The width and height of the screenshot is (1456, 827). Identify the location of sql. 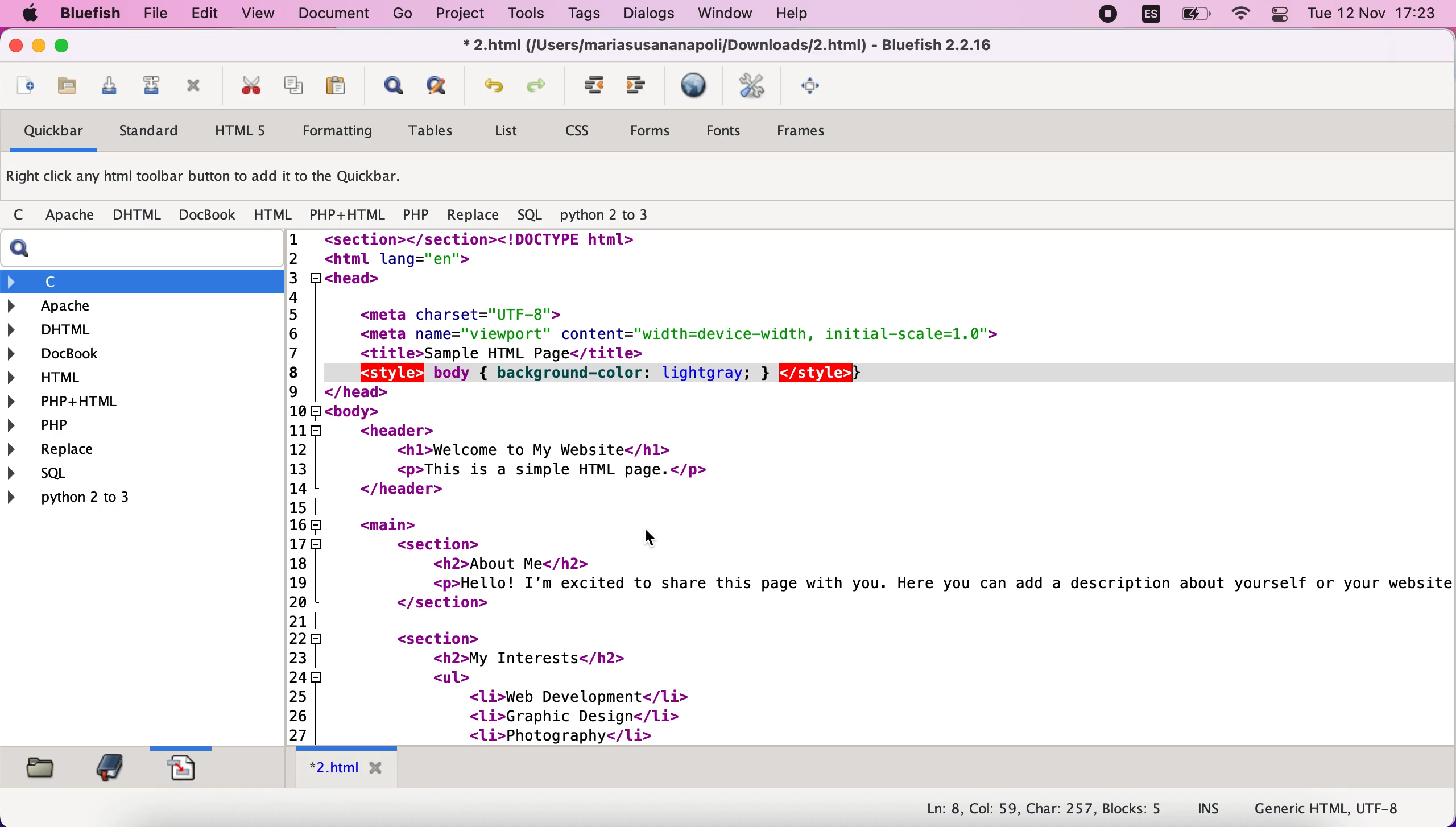
(87, 476).